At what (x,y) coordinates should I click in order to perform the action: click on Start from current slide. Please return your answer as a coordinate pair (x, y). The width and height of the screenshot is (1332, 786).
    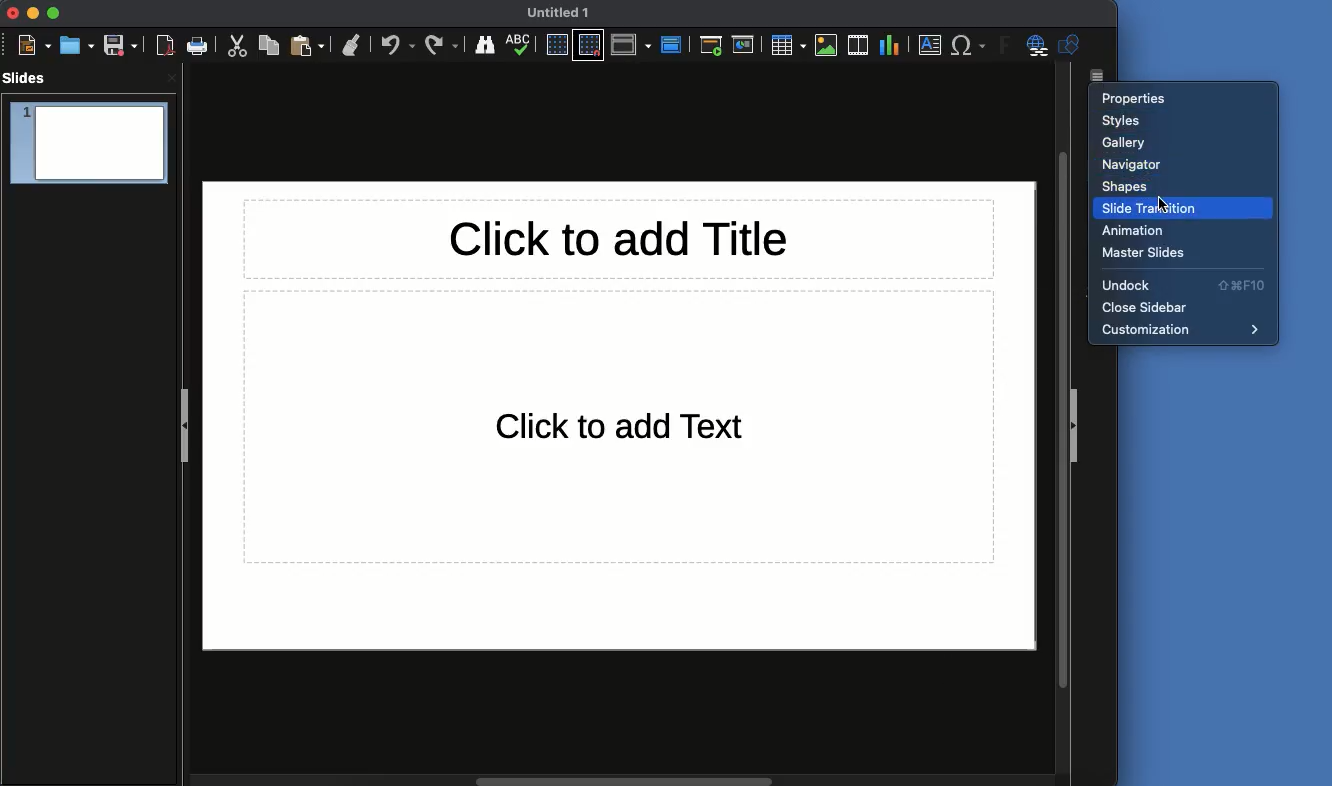
    Looking at the image, I should click on (743, 44).